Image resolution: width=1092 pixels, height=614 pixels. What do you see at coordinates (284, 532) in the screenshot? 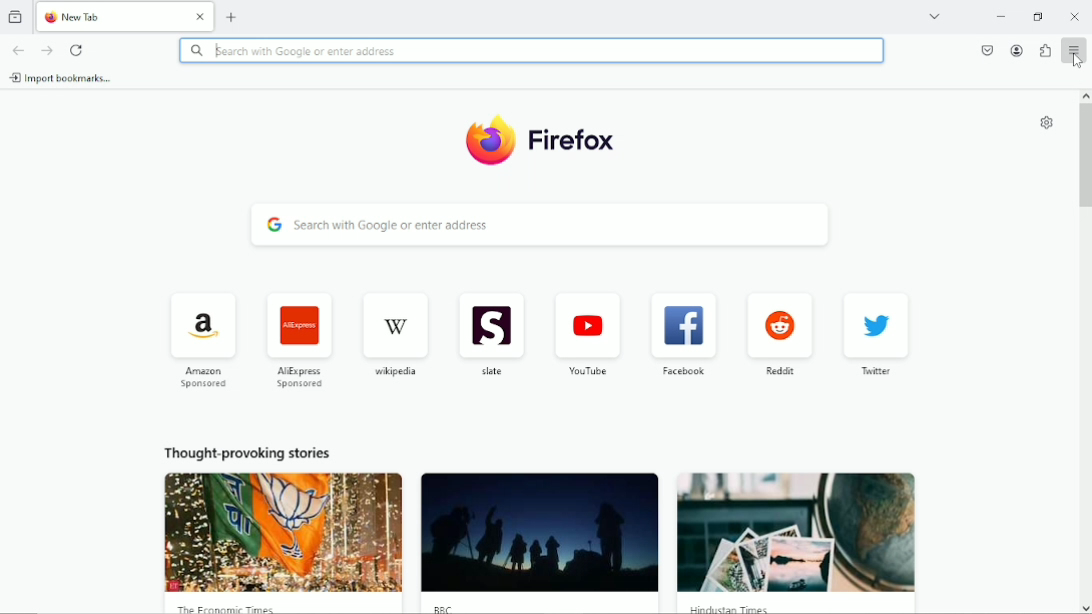
I see `image` at bounding box center [284, 532].